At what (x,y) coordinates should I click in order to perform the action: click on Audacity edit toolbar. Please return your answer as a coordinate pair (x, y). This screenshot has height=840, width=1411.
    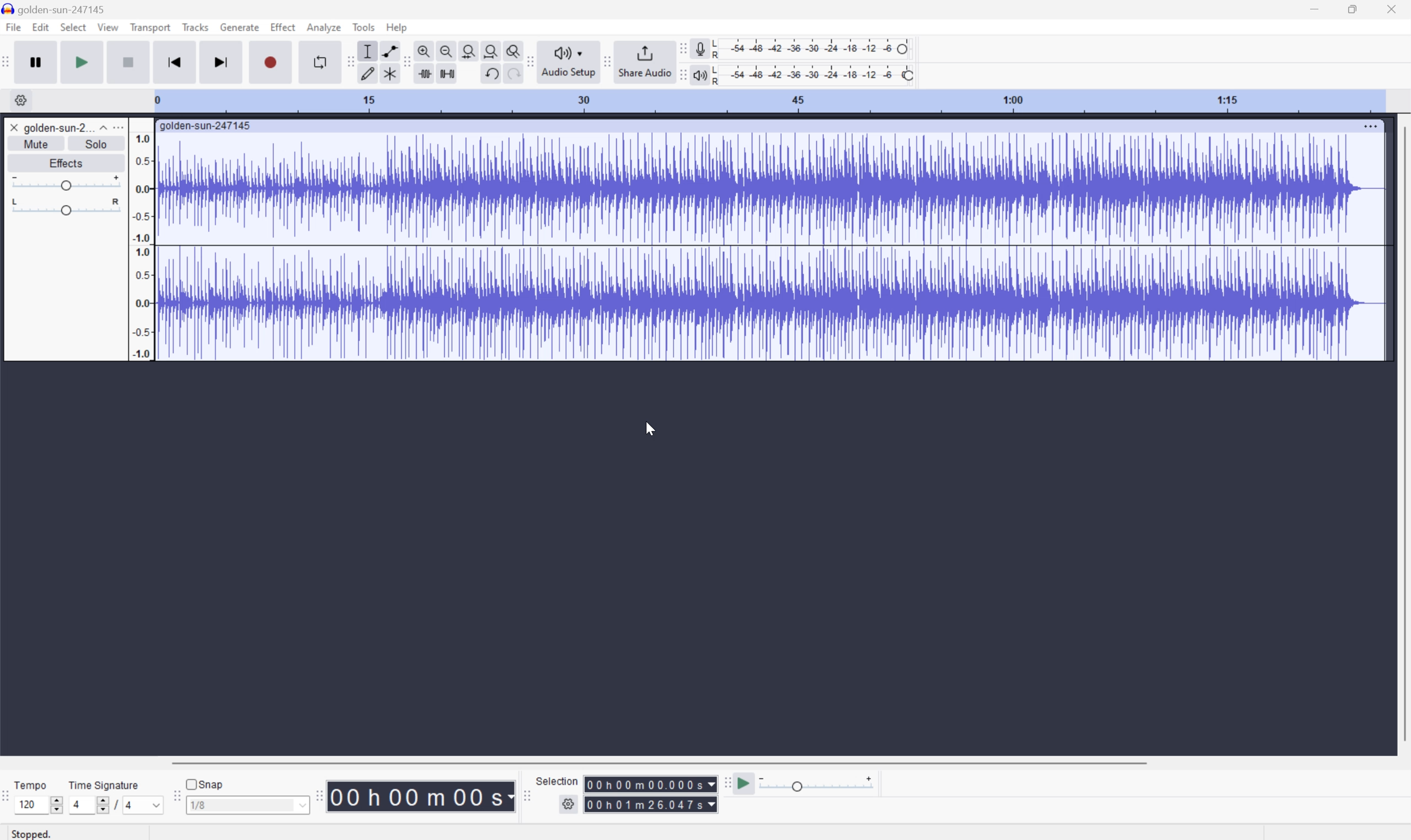
    Looking at the image, I should click on (349, 61).